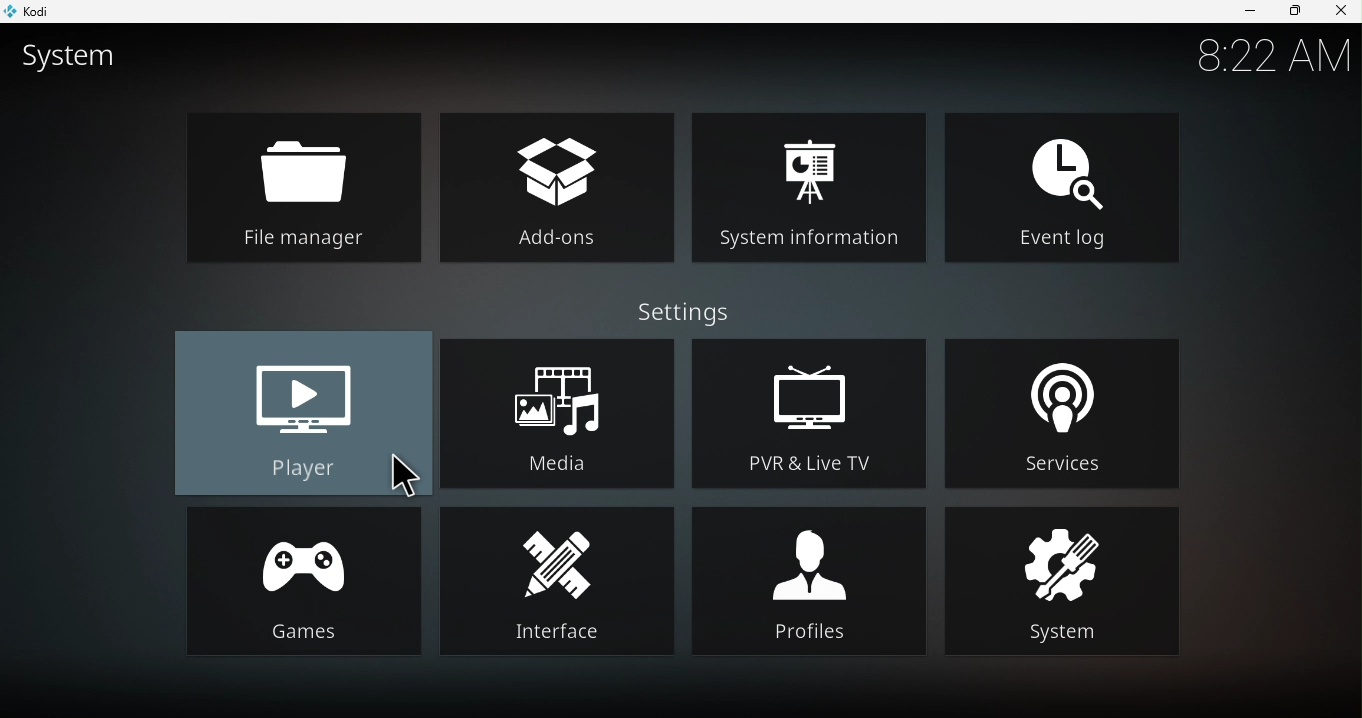 The image size is (1362, 718). Describe the element at coordinates (558, 583) in the screenshot. I see `Interface` at that location.